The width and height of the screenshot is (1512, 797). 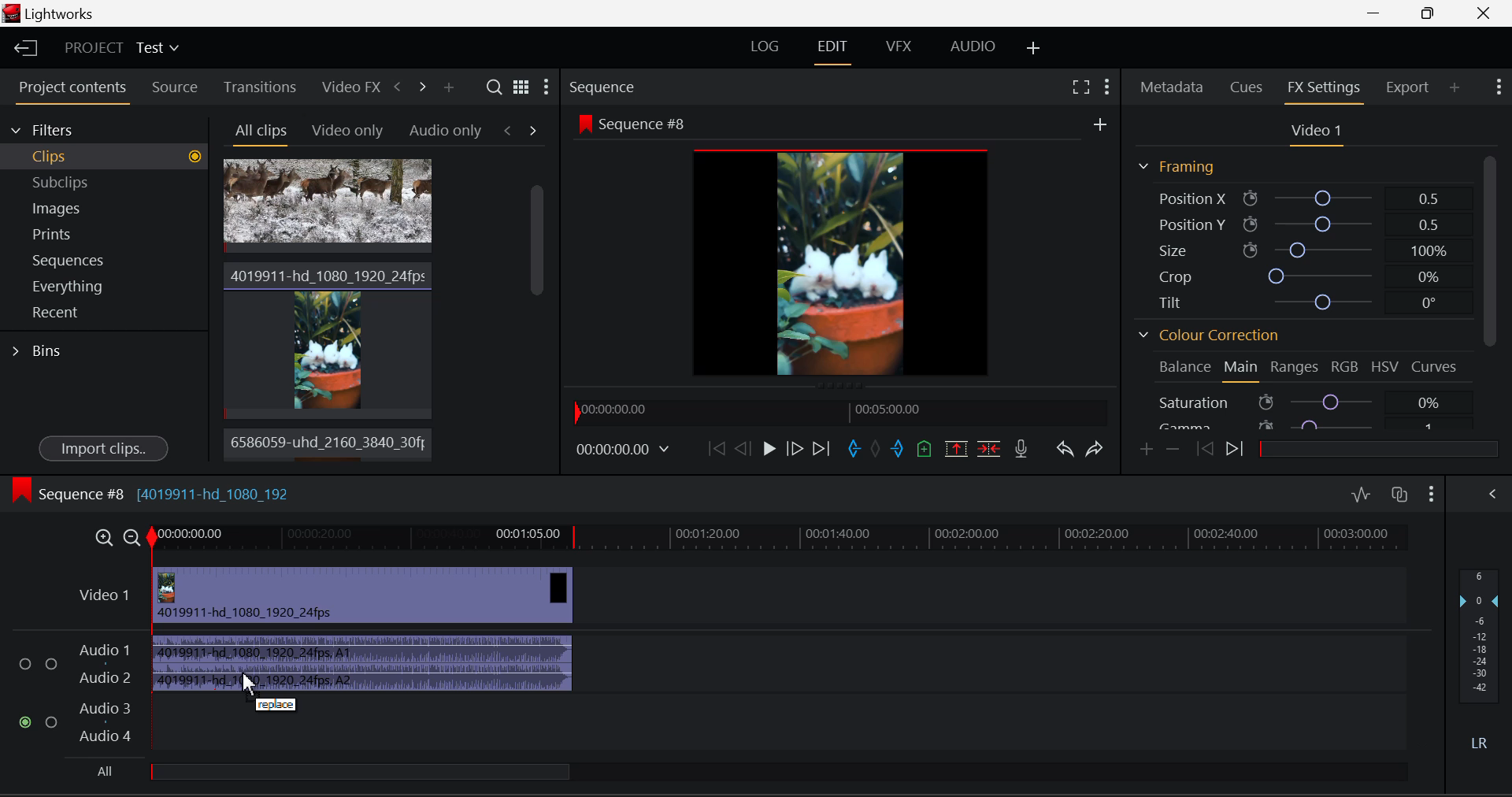 I want to click on All, so click(x=349, y=775).